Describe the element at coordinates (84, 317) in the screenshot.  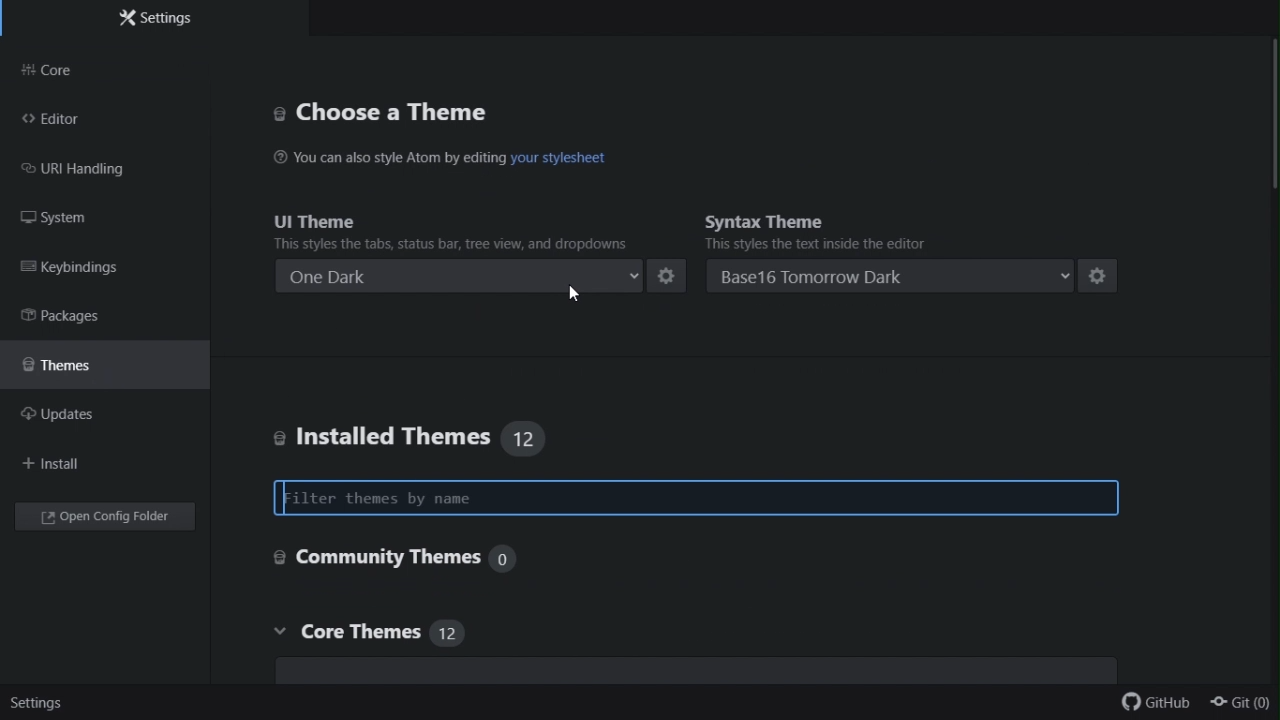
I see `Packages` at that location.